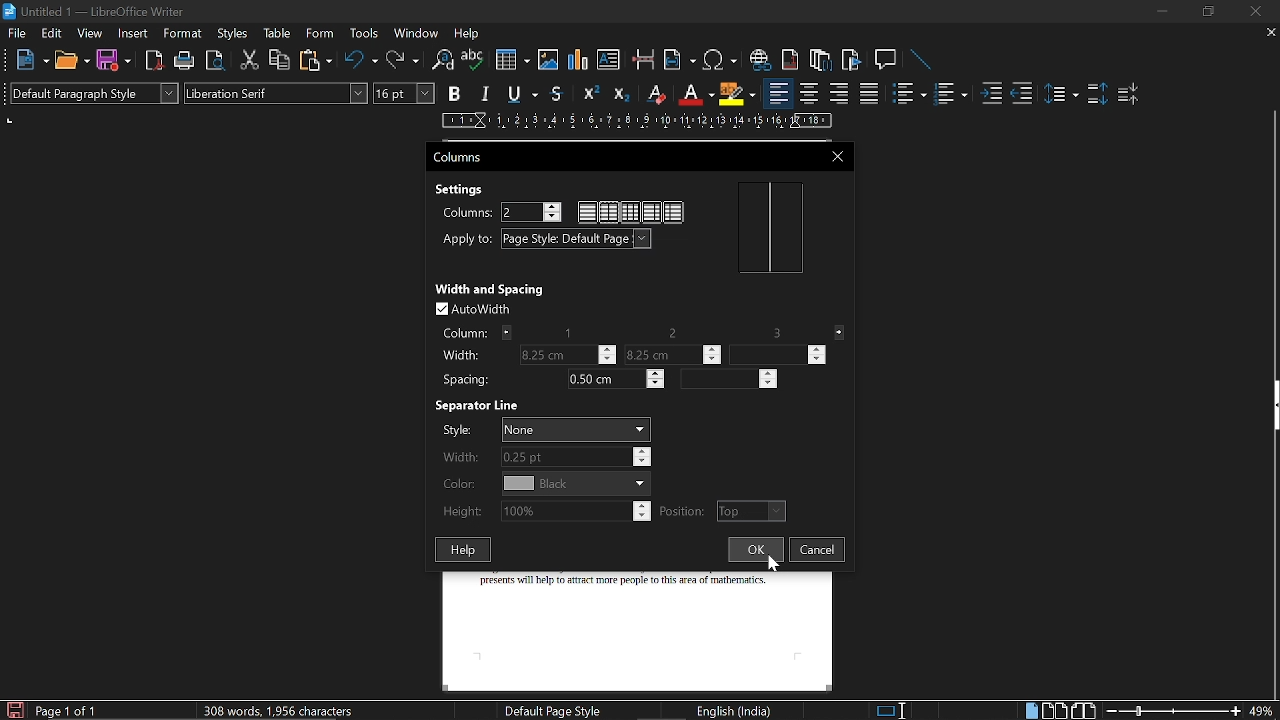 Image resolution: width=1280 pixels, height=720 pixels. What do you see at coordinates (820, 552) in the screenshot?
I see `Cancel` at bounding box center [820, 552].